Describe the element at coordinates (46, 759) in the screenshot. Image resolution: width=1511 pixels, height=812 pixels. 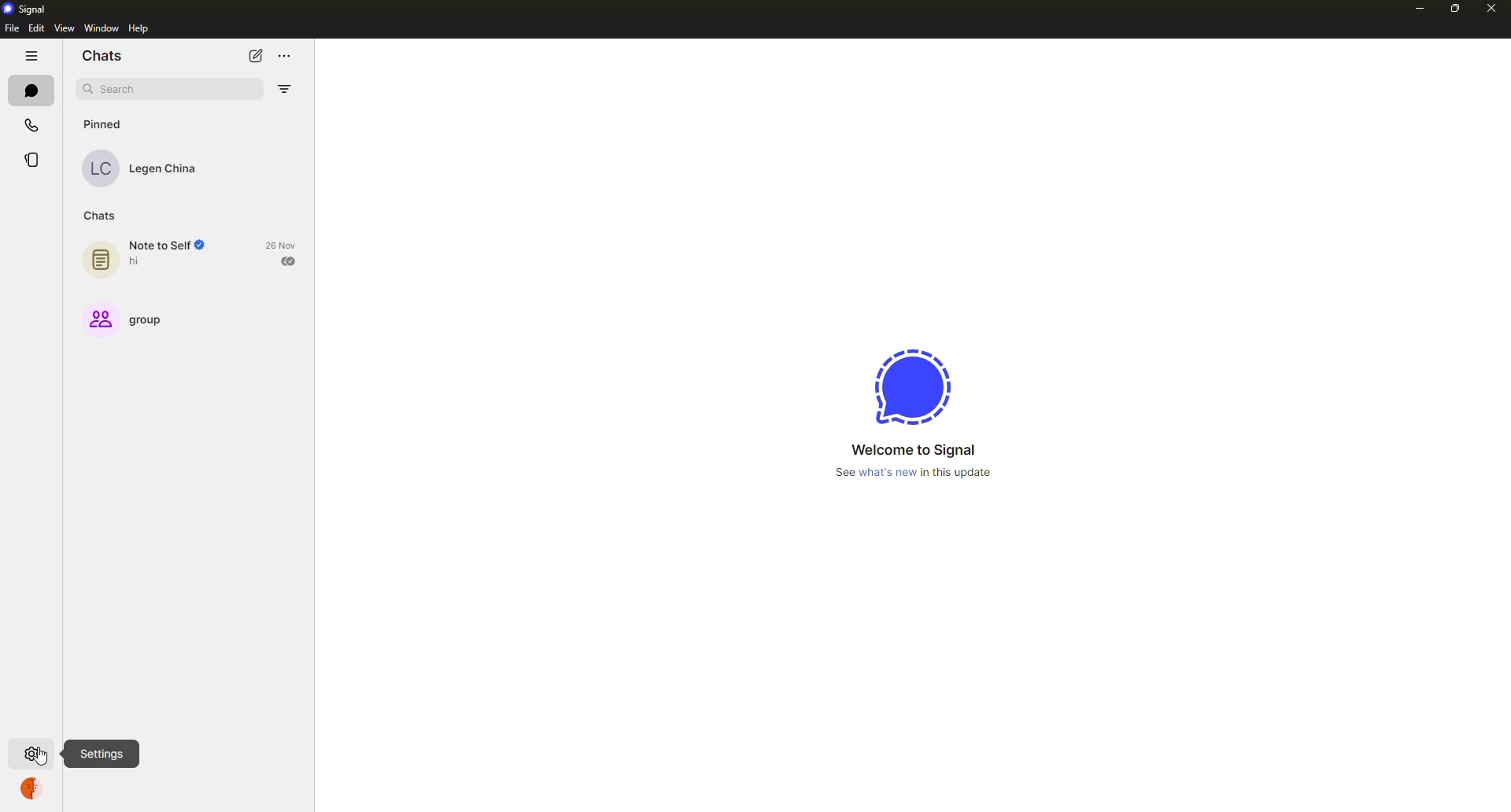
I see `cursor` at that location.